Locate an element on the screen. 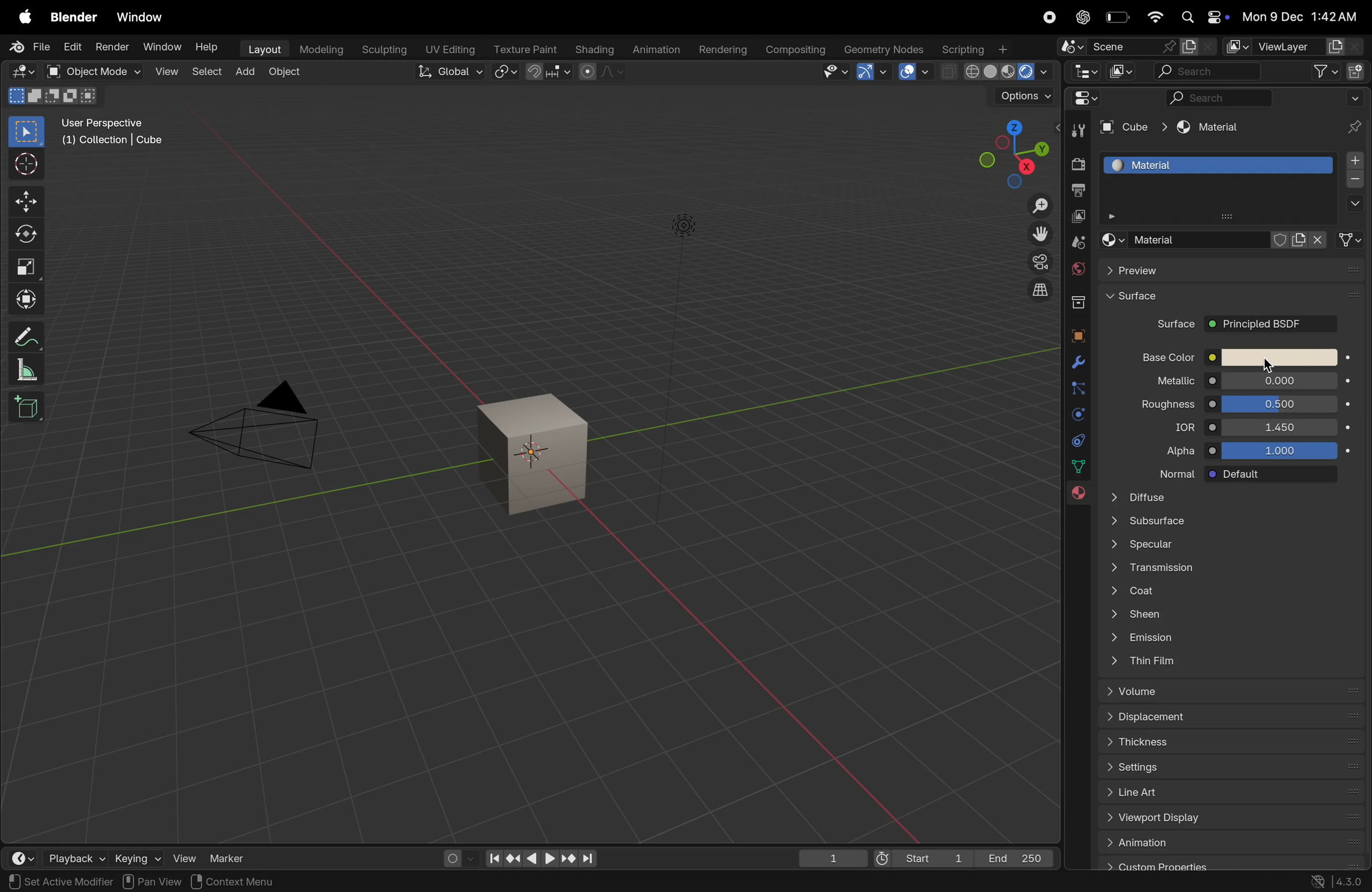 The width and height of the screenshot is (1372, 892). world is located at coordinates (1076, 269).